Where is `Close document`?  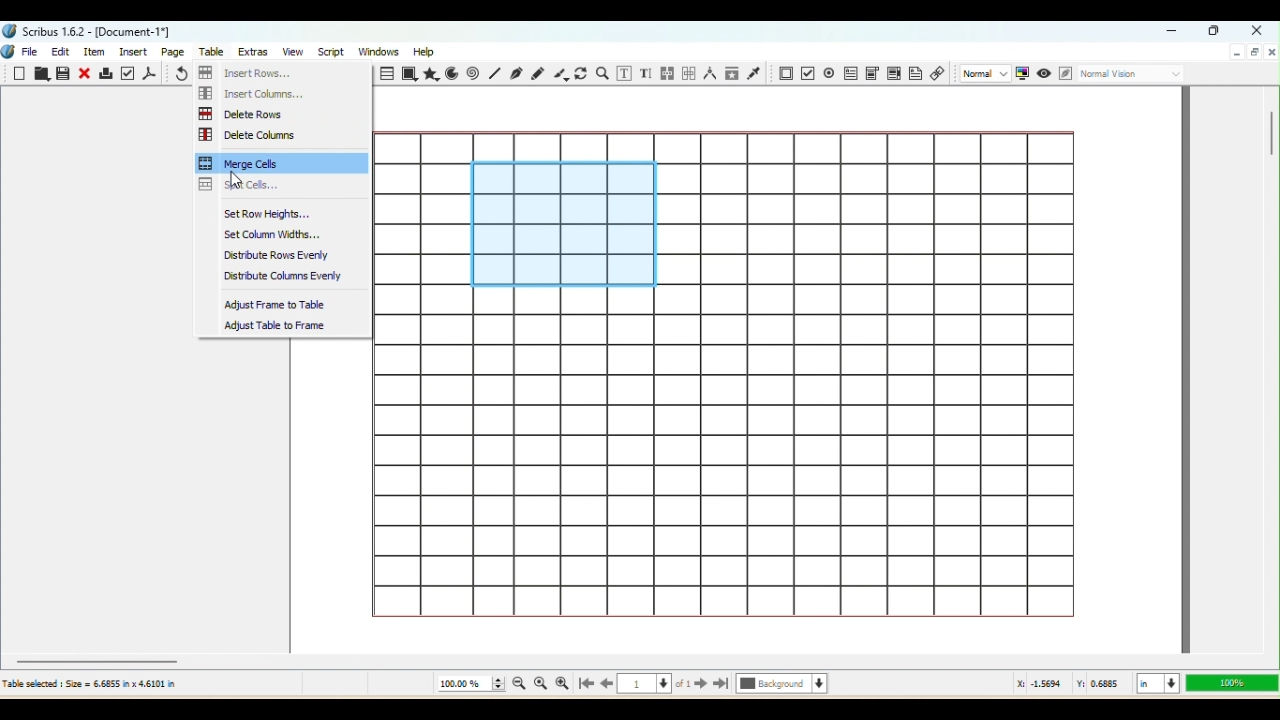
Close document is located at coordinates (1271, 51).